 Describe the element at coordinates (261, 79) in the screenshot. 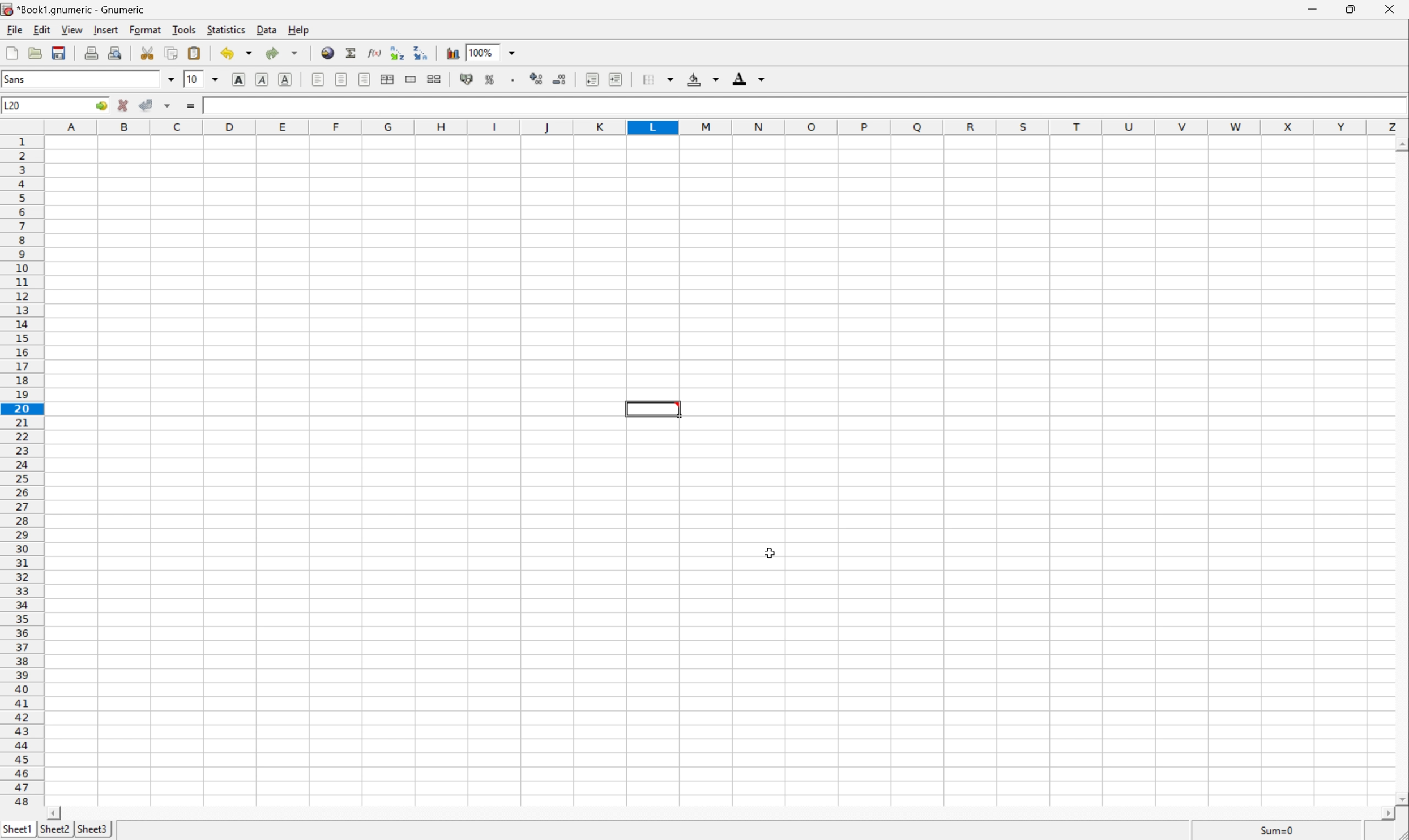

I see `Italic` at that location.